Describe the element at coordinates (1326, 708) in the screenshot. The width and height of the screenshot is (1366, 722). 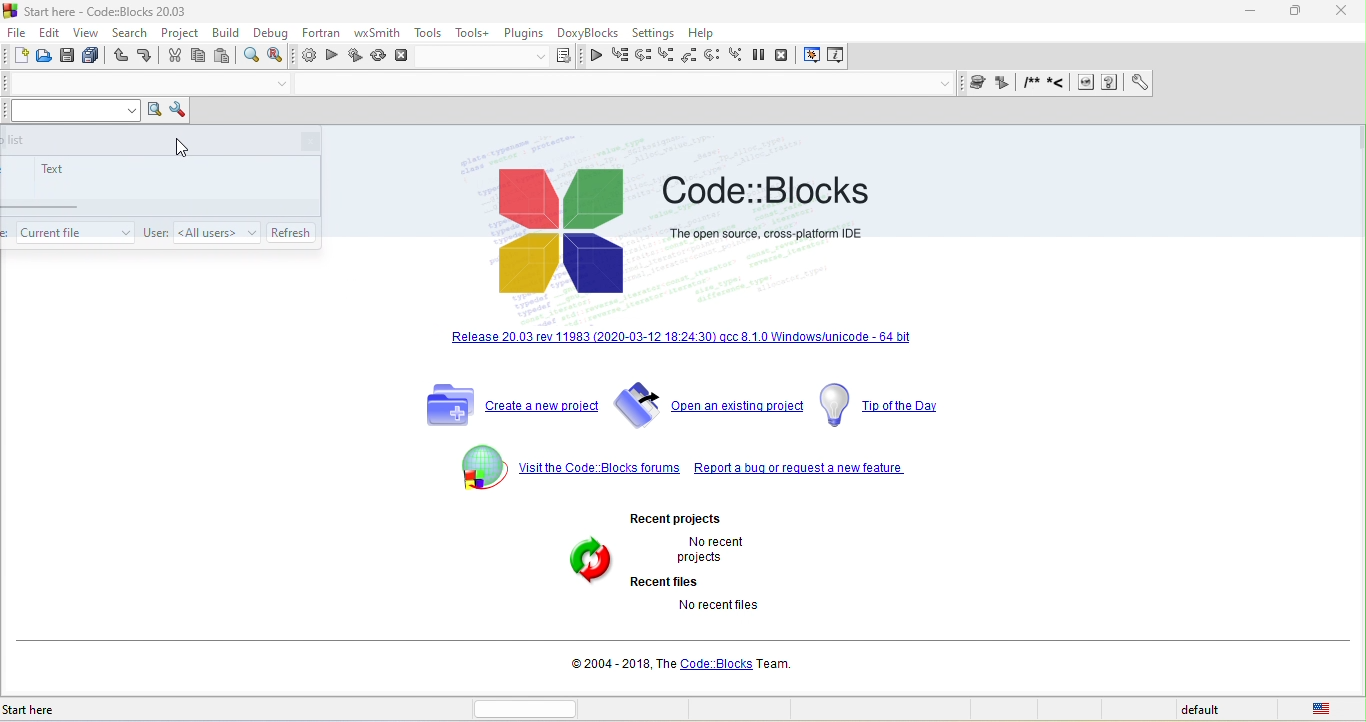
I see `united state` at that location.